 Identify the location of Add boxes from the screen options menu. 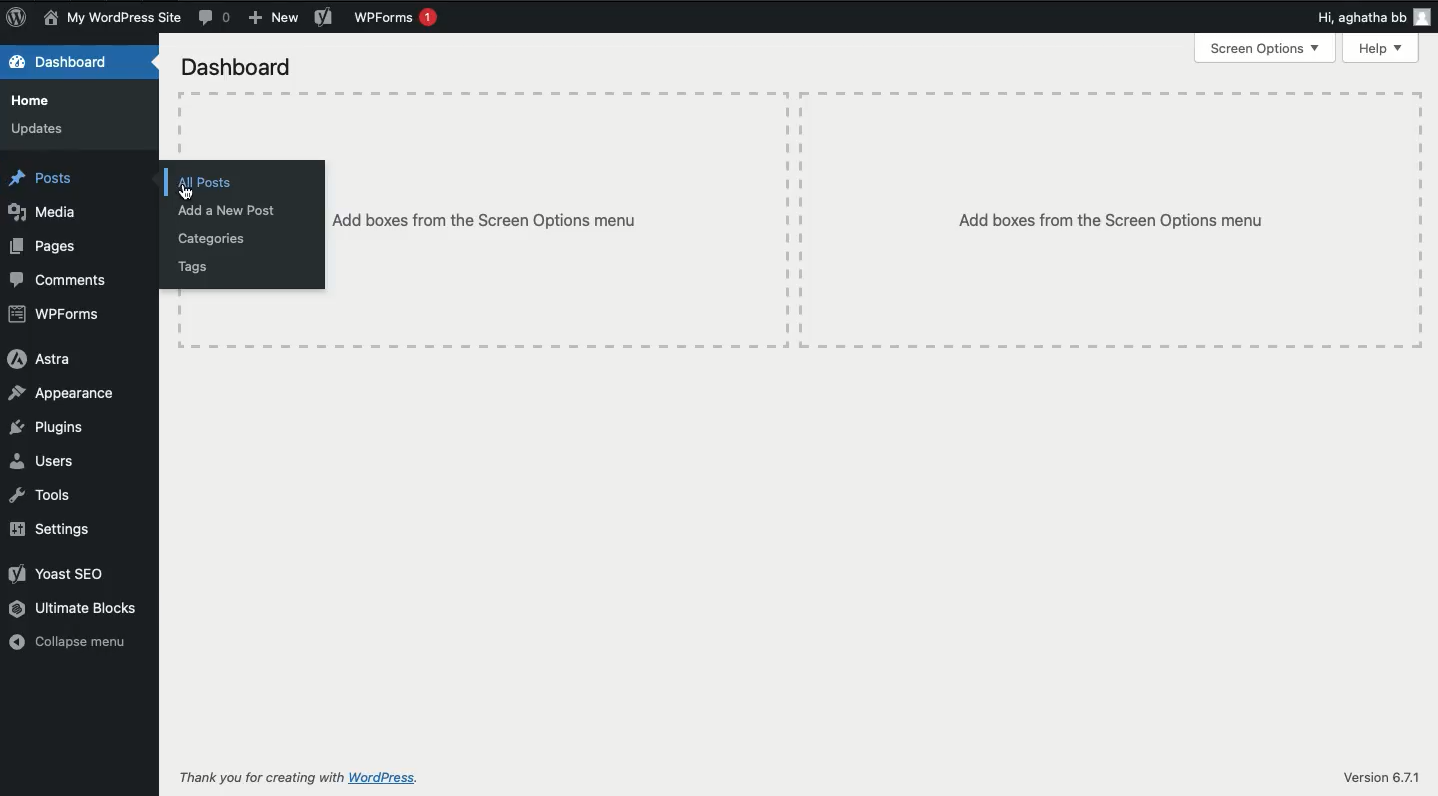
(508, 222).